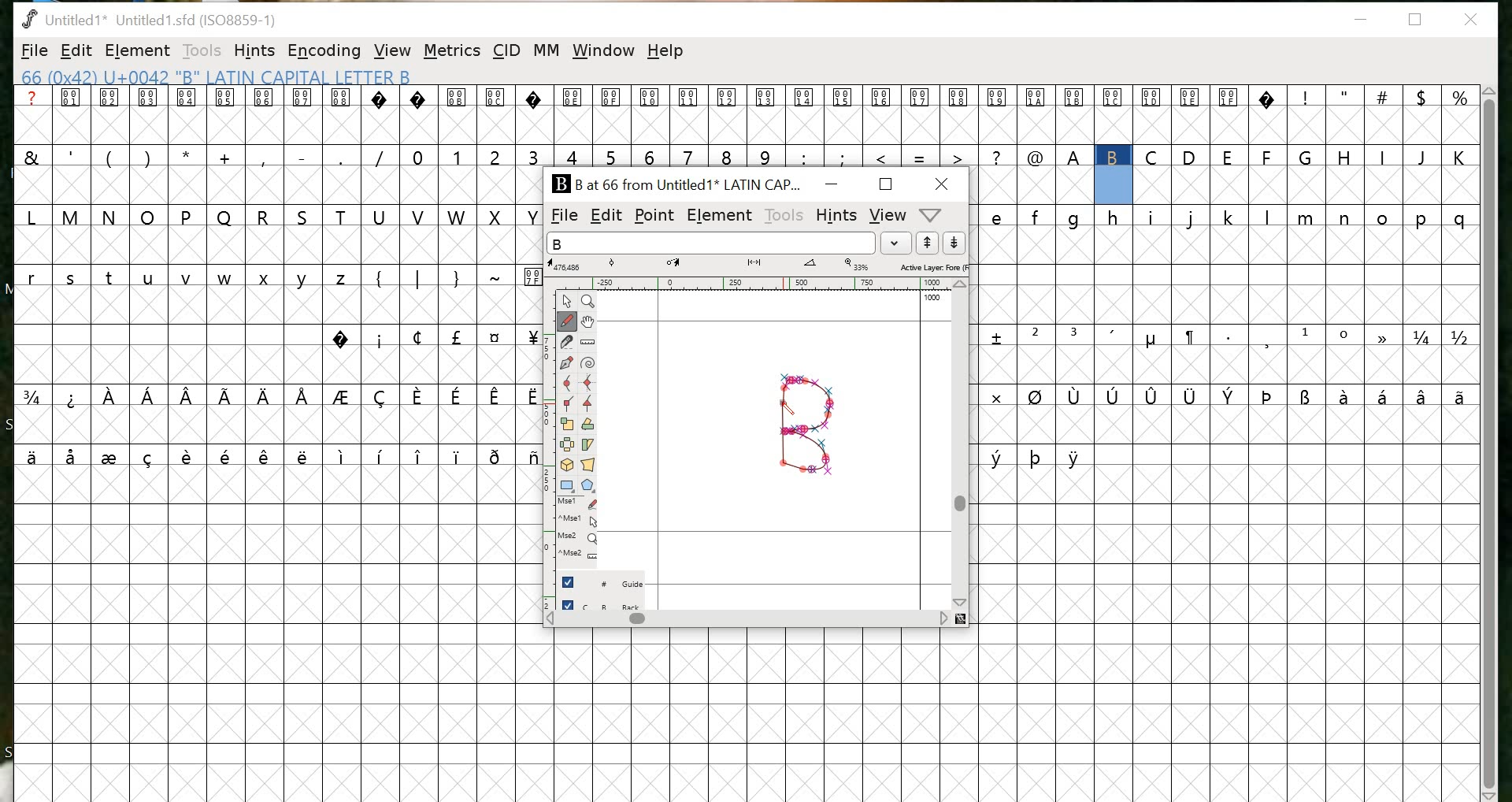 The image size is (1512, 802). I want to click on Spiro, so click(589, 363).